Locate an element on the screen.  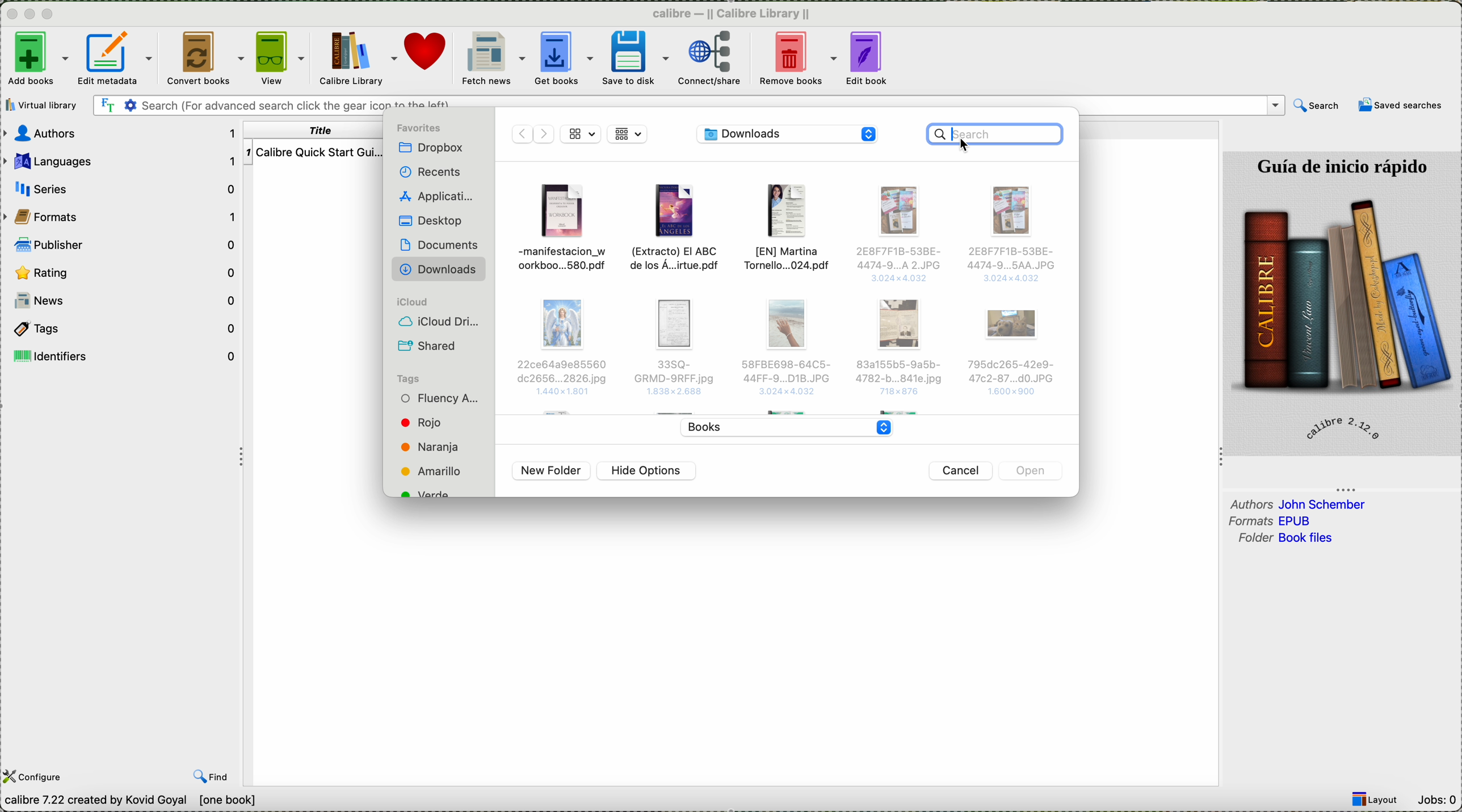
downloads is located at coordinates (439, 269).